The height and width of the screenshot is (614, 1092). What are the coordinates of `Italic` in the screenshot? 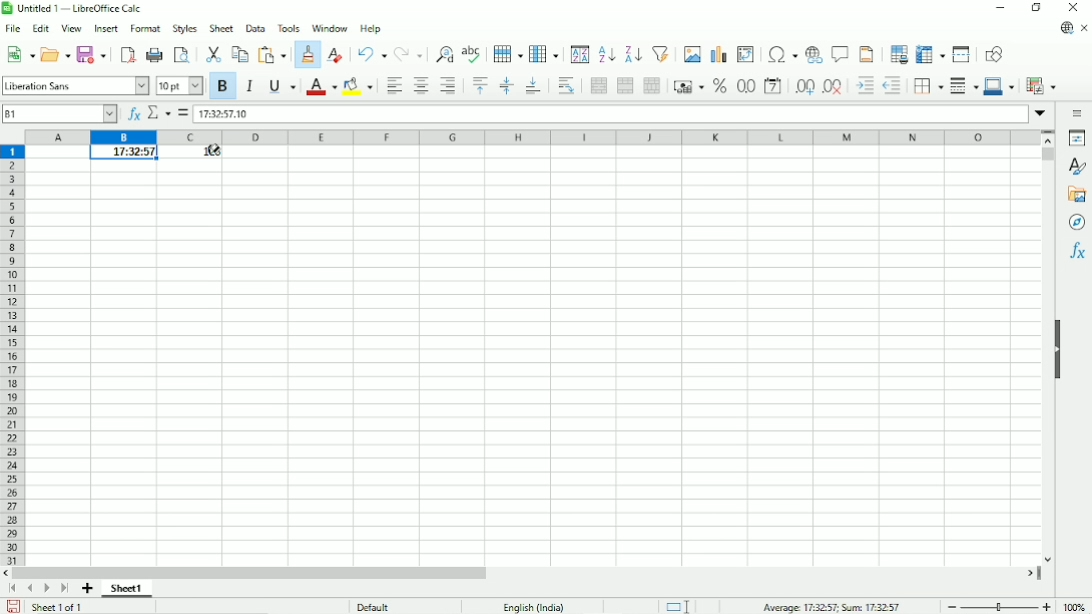 It's located at (248, 86).